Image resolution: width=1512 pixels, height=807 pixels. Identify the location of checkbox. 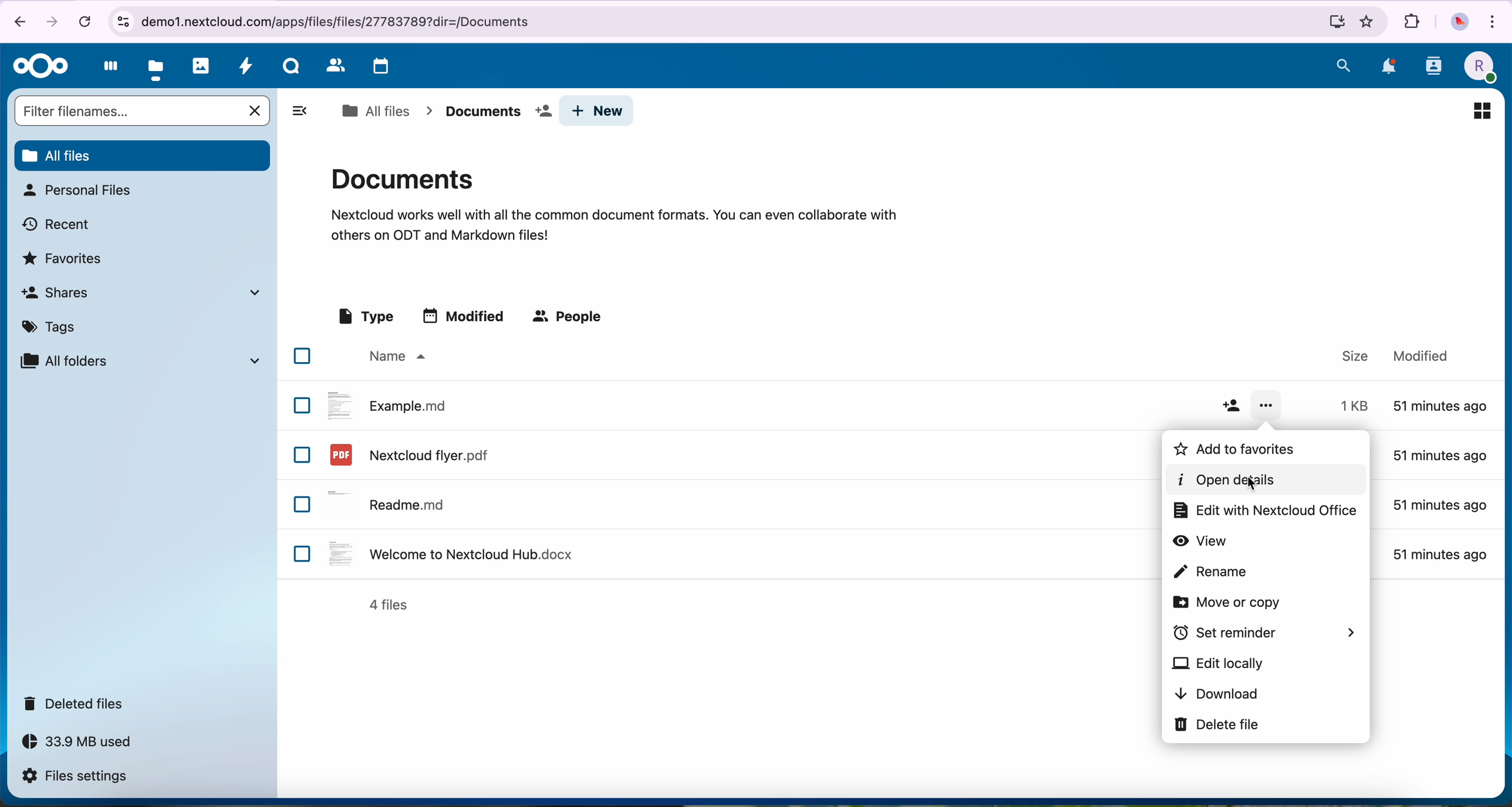
(303, 505).